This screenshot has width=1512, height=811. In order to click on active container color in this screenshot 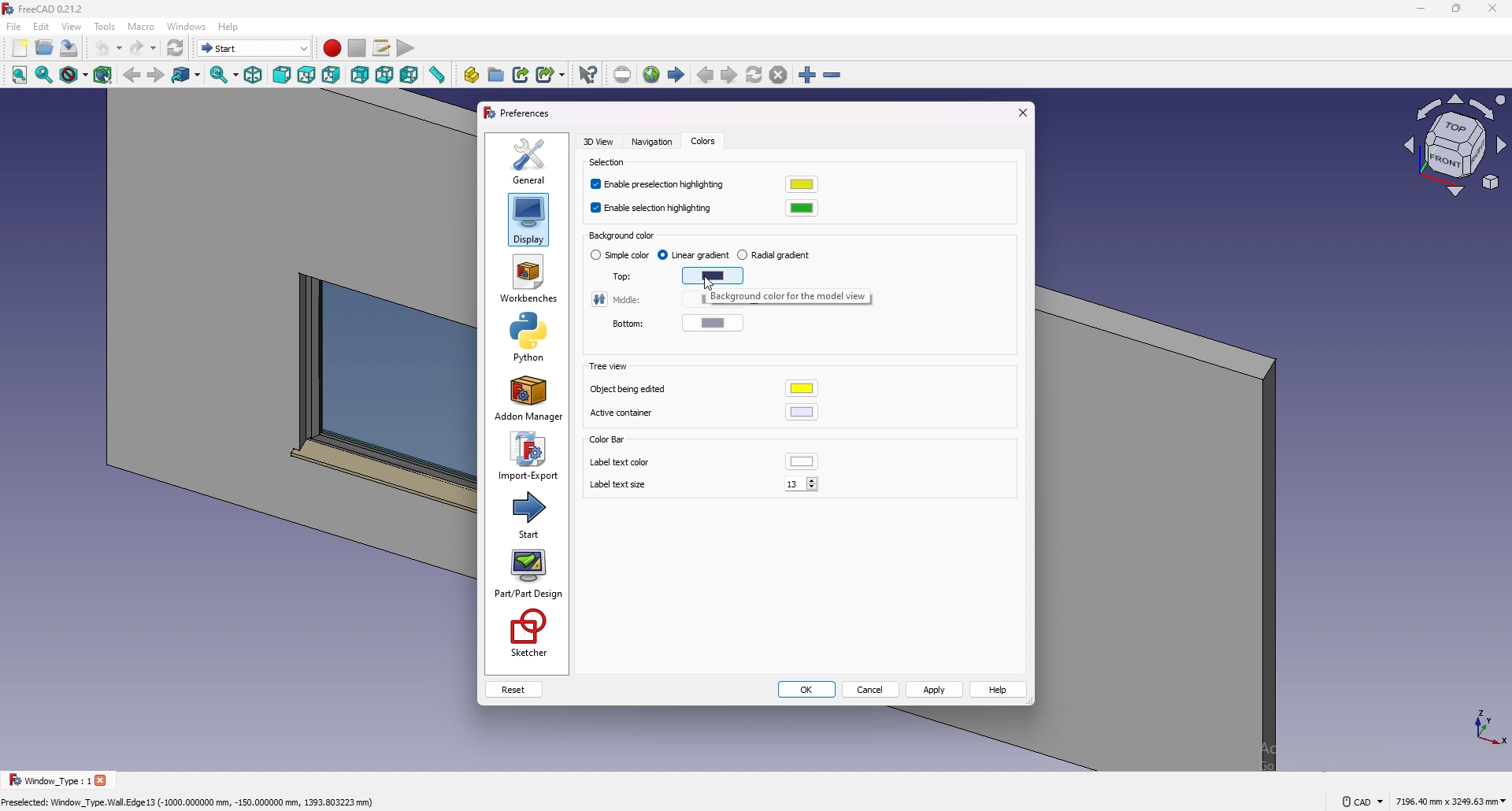, I will do `click(802, 412)`.